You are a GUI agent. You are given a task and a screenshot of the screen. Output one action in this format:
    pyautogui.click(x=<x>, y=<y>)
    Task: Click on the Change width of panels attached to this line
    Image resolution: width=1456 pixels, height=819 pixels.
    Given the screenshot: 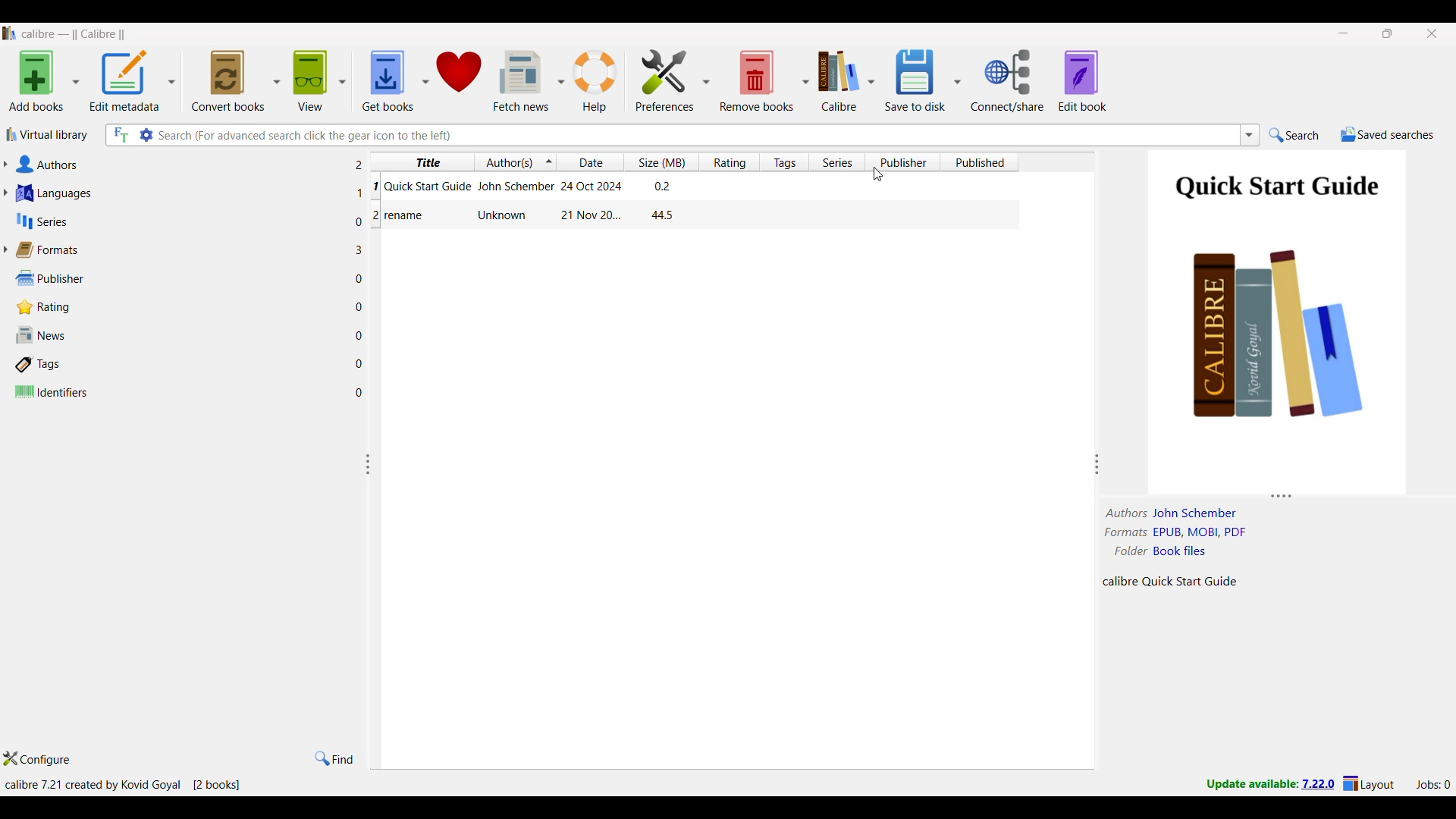 What is the action you would take?
    pyautogui.click(x=373, y=536)
    